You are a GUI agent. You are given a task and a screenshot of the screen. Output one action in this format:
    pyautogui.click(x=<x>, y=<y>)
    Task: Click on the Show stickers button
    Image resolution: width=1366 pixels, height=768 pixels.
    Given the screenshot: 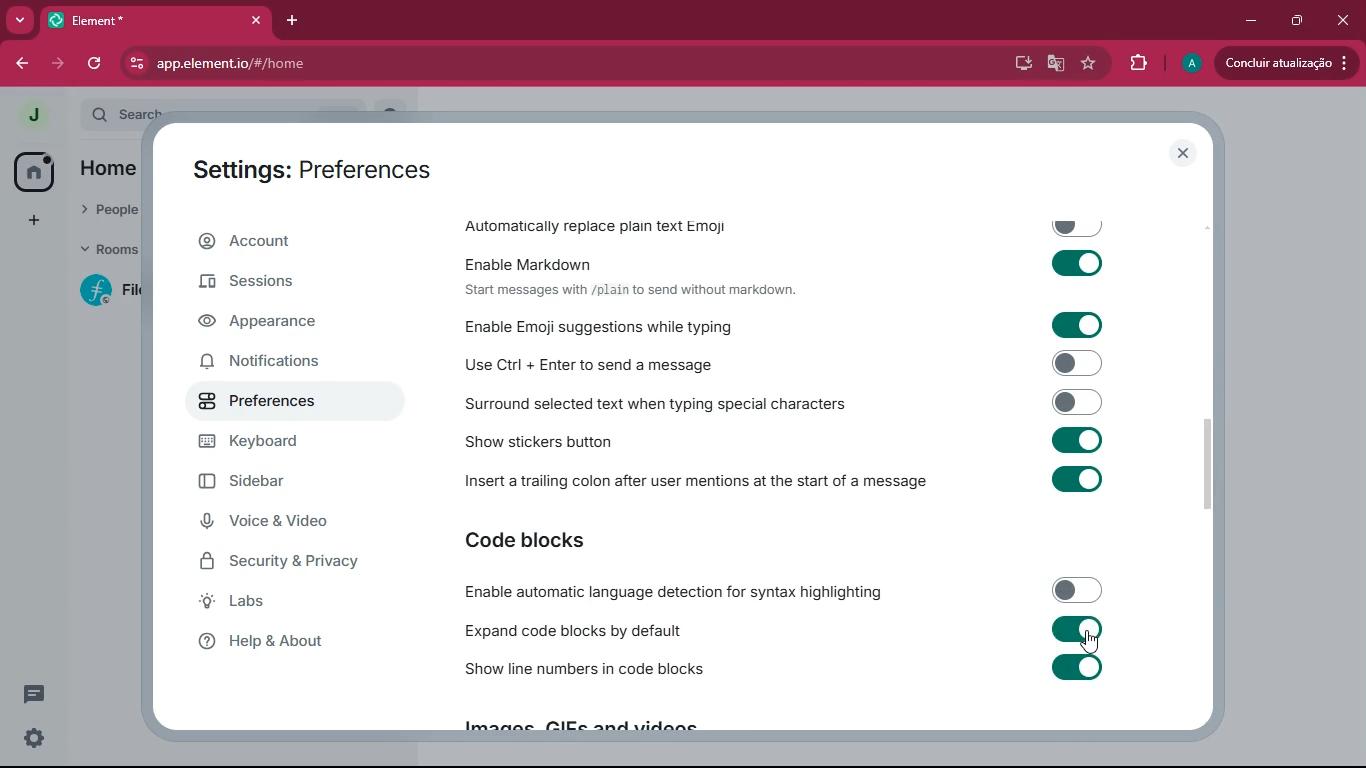 What is the action you would take?
    pyautogui.click(x=789, y=445)
    